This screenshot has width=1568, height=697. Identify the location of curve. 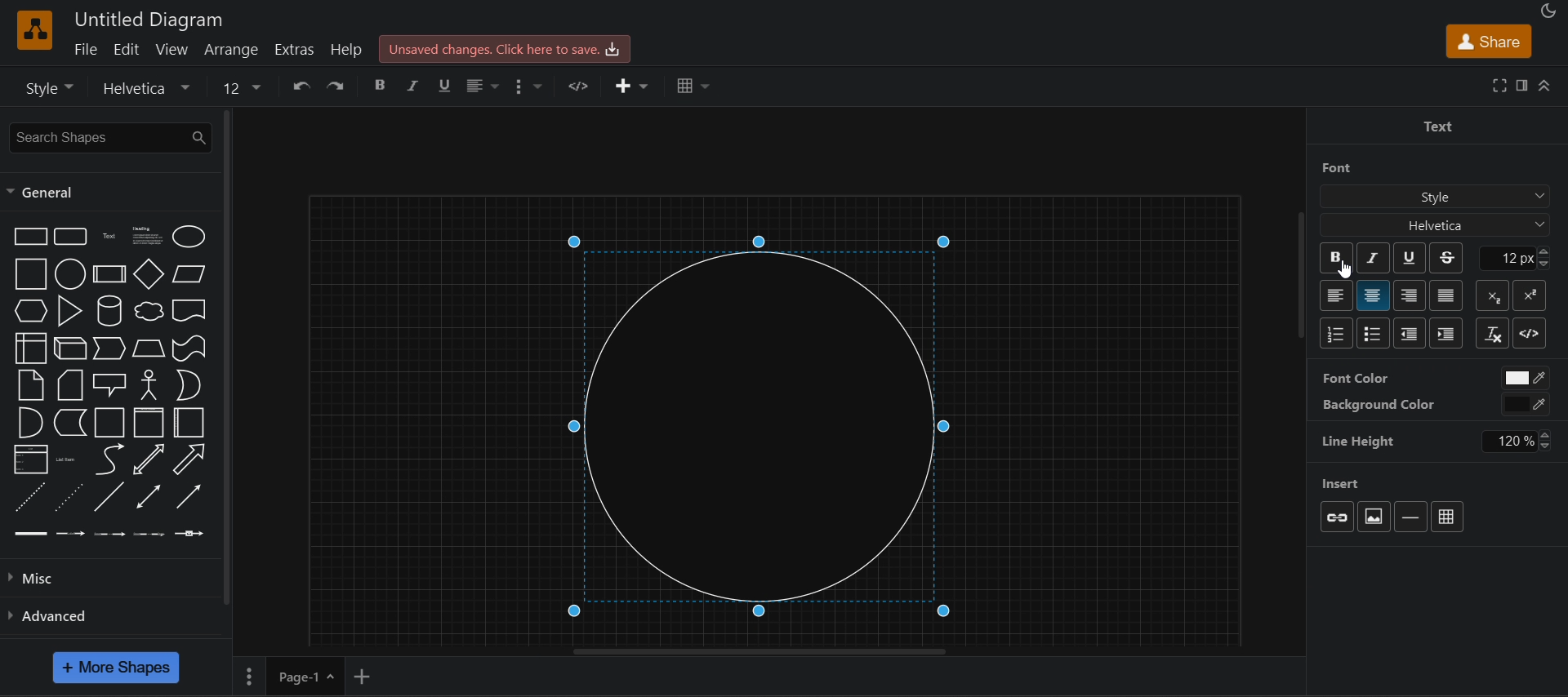
(108, 460).